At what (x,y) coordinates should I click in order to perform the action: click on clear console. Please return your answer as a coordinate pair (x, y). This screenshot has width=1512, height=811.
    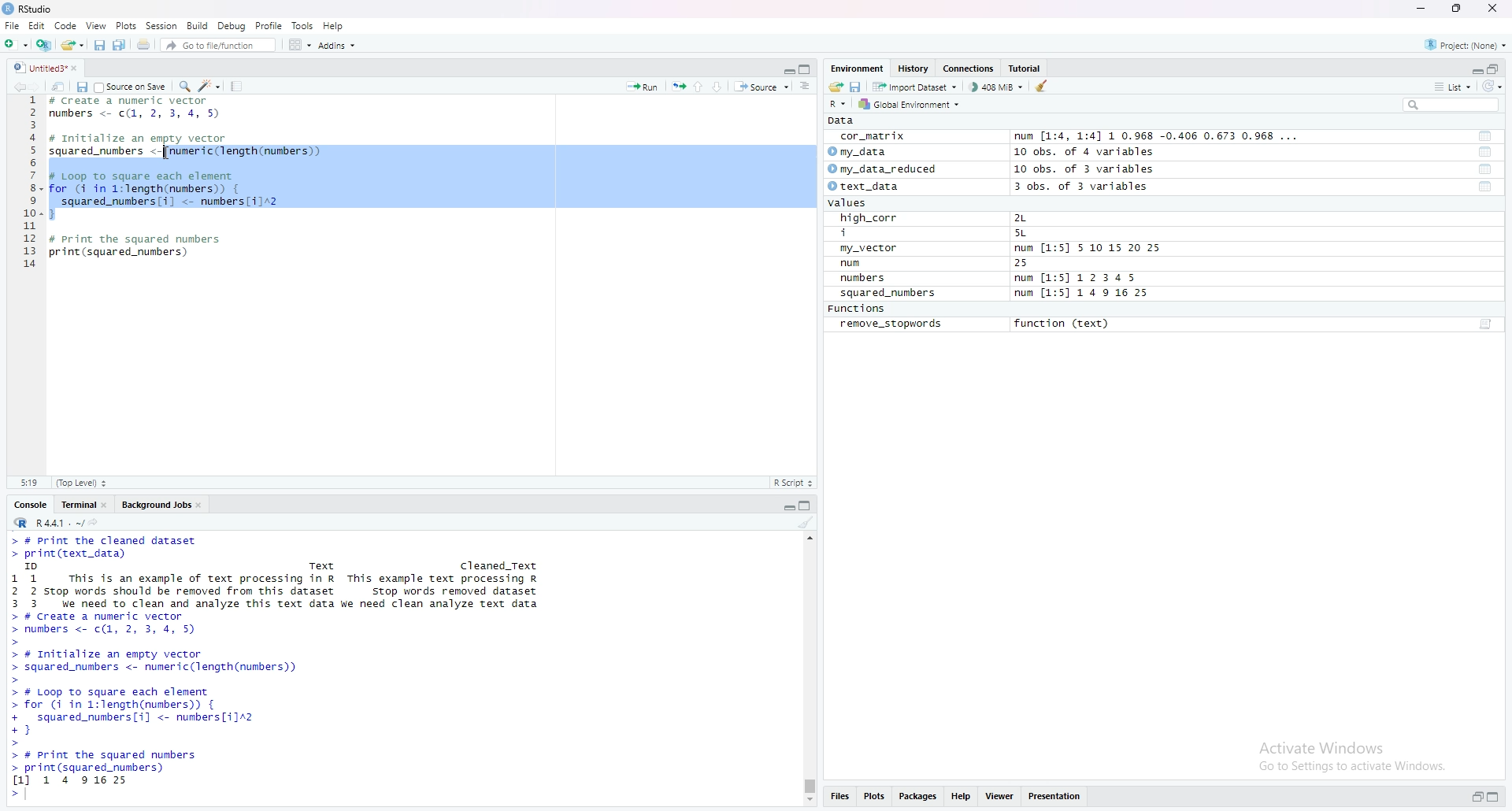
    Looking at the image, I should click on (806, 522).